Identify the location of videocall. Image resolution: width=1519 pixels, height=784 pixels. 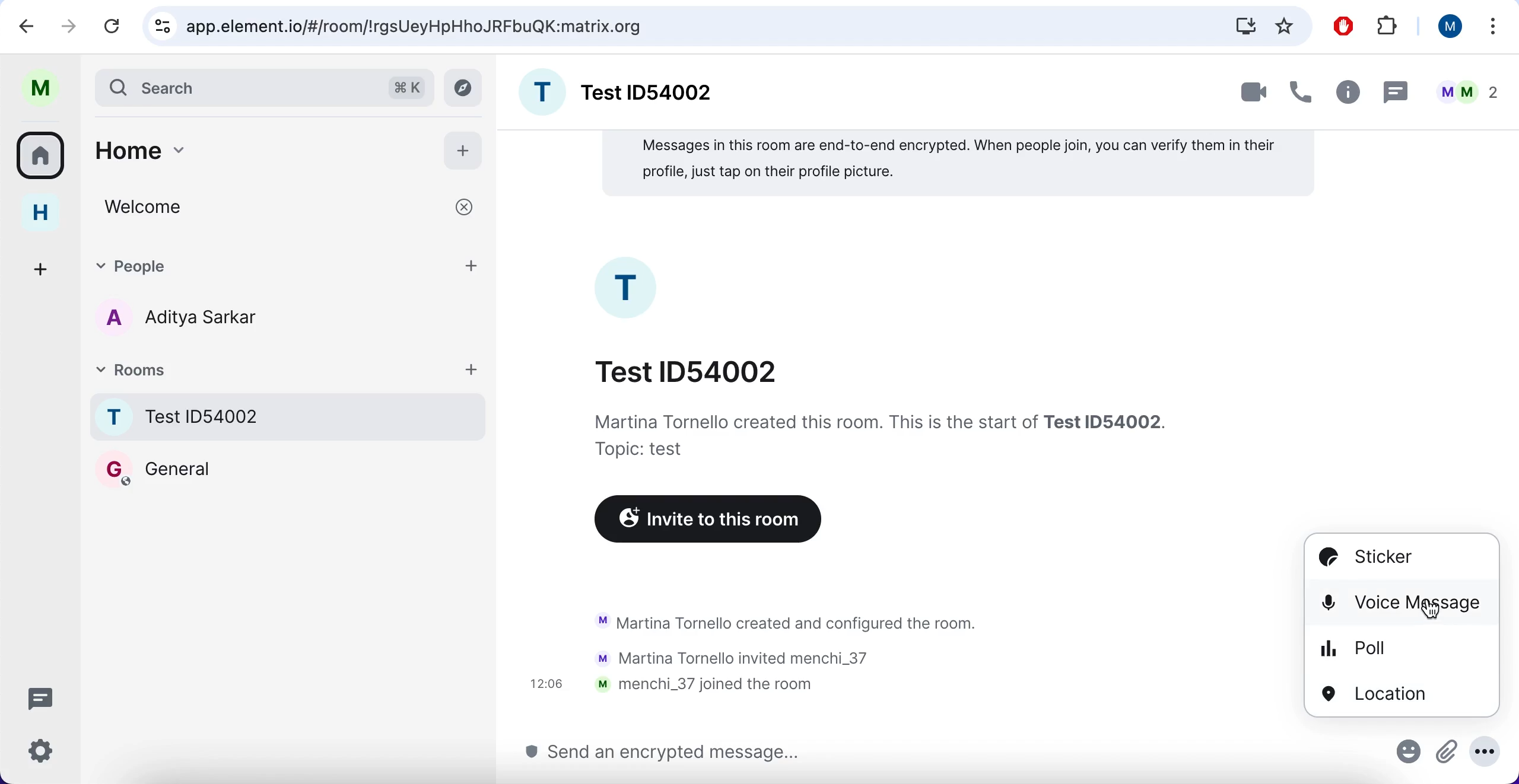
(1251, 94).